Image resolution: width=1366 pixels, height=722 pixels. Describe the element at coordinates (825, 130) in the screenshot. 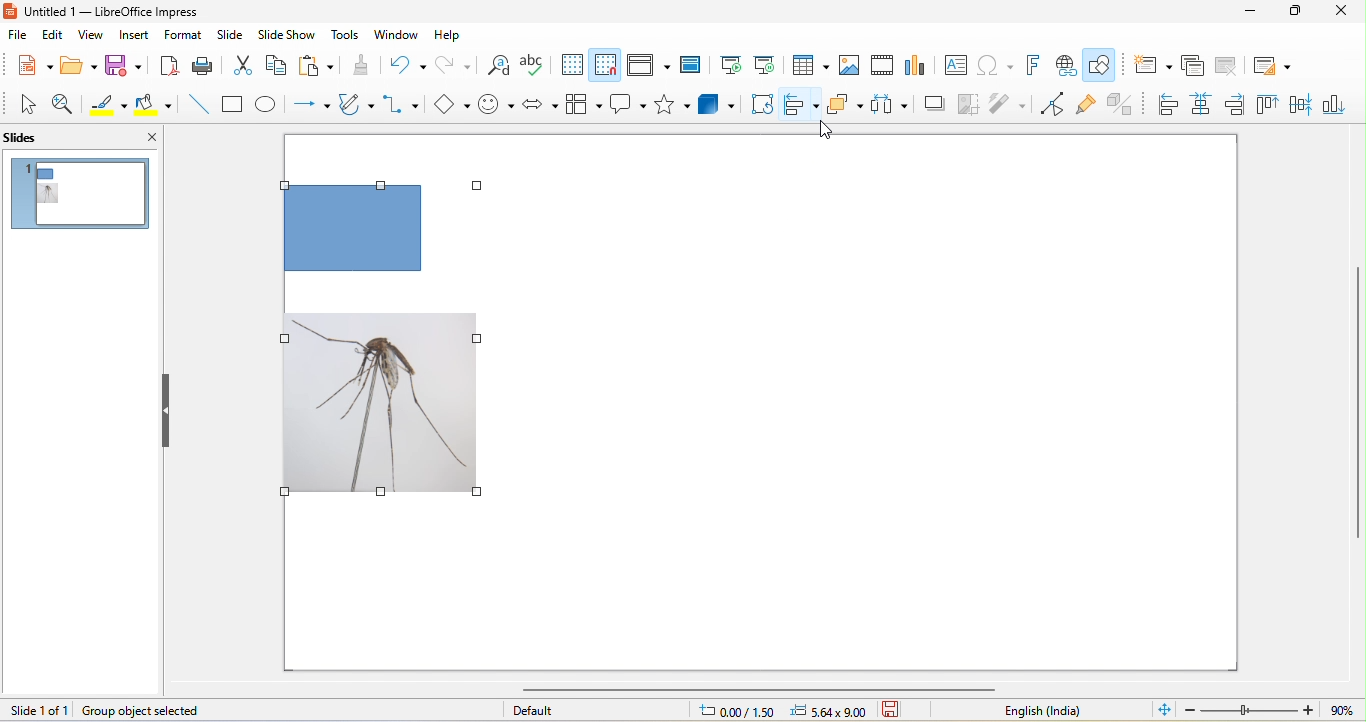

I see `cursor movement` at that location.